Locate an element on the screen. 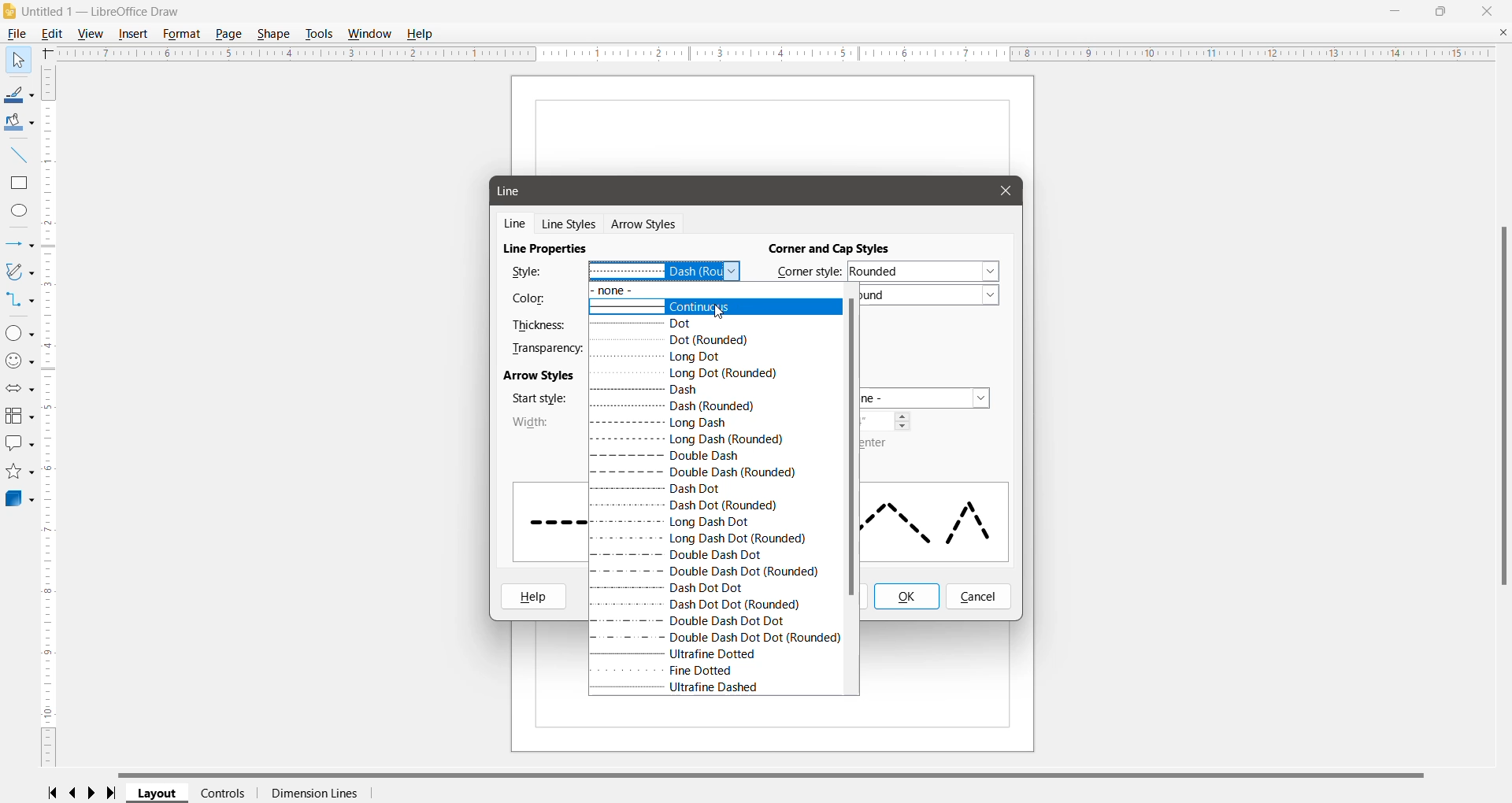 The height and width of the screenshot is (803, 1512). Lines and Arrows is located at coordinates (20, 245).